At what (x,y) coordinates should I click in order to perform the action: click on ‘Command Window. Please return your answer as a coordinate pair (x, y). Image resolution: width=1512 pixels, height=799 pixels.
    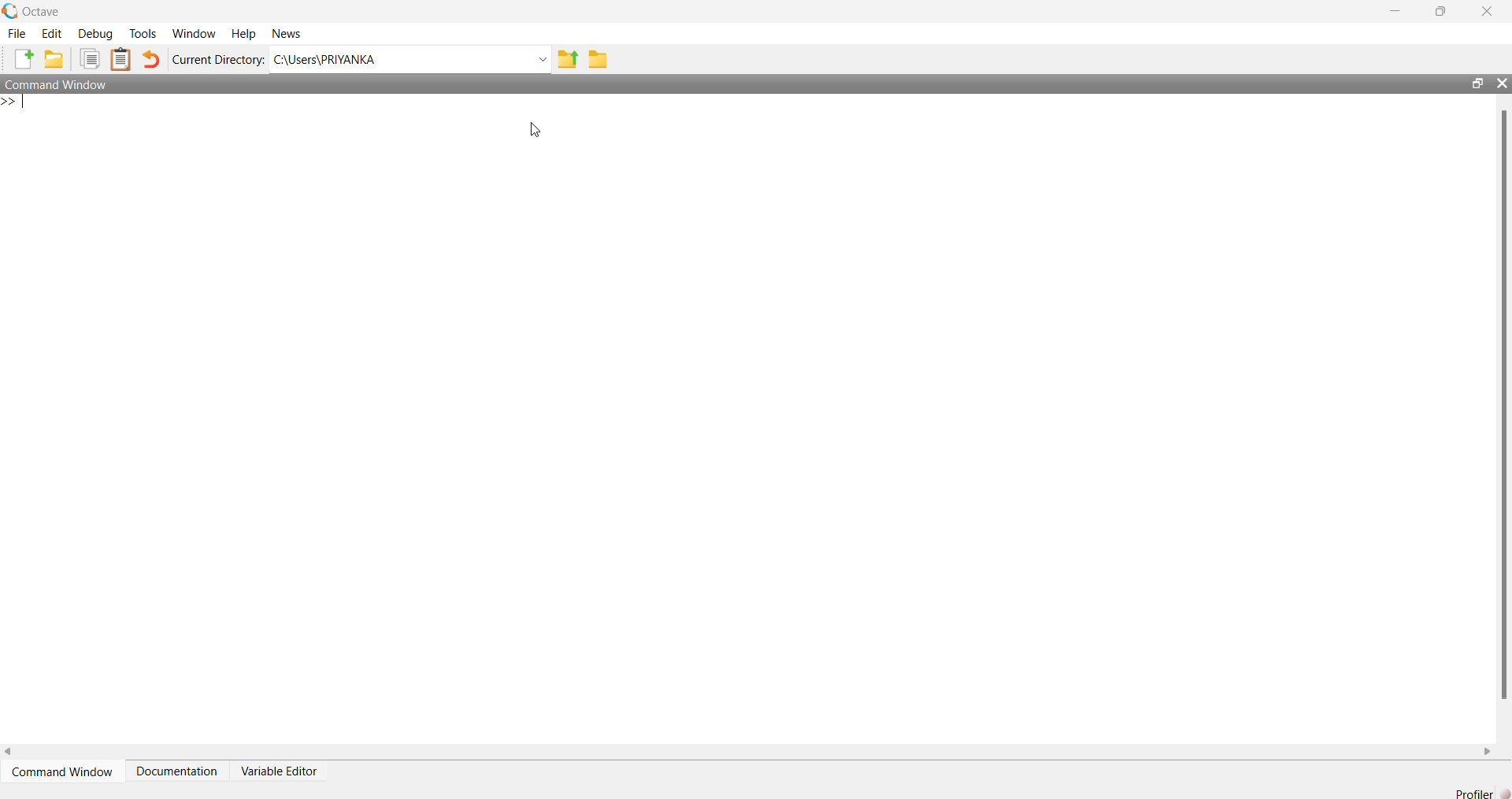
    Looking at the image, I should click on (63, 766).